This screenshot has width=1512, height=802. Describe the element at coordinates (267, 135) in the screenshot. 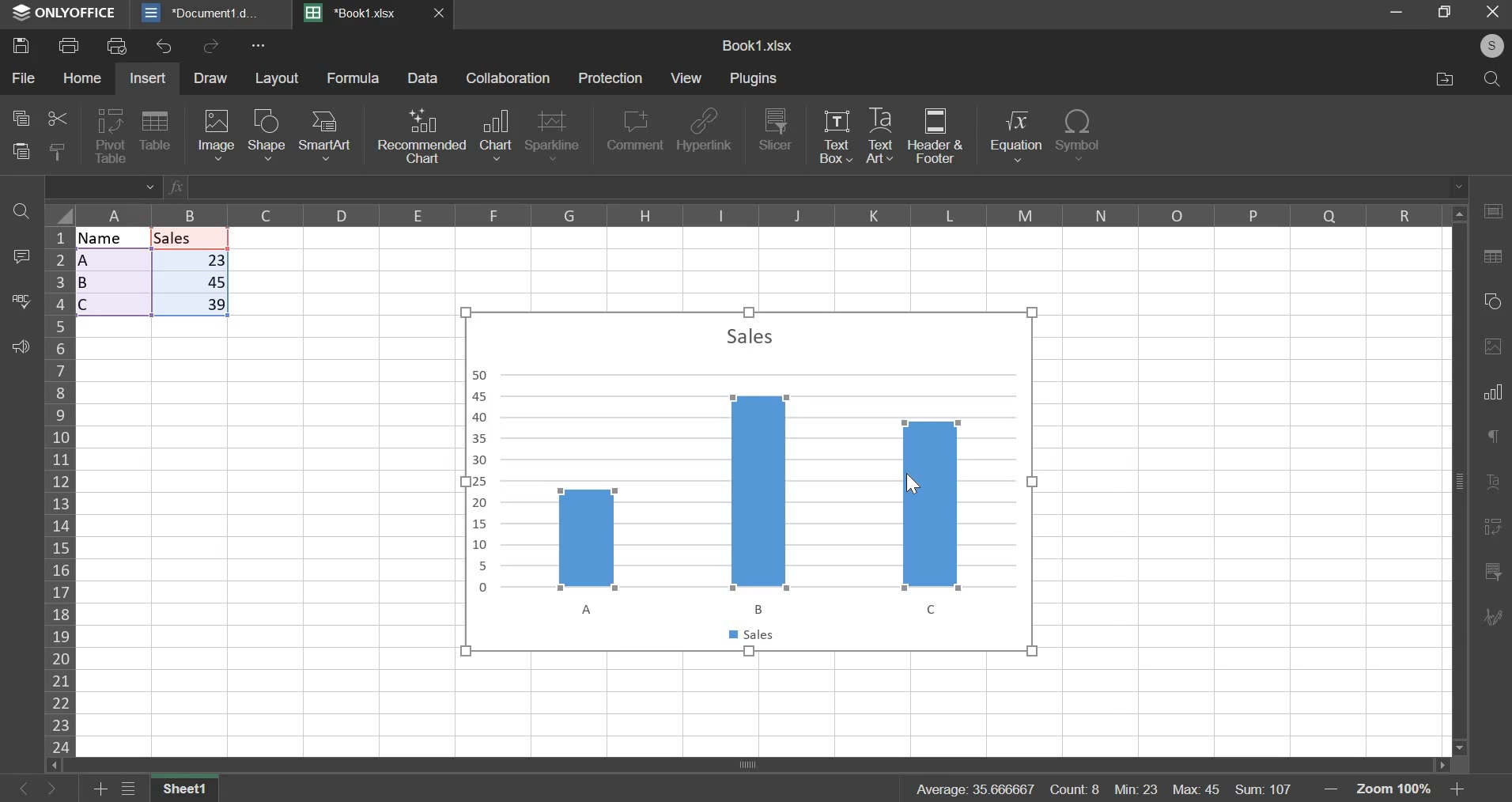

I see `shape` at that location.